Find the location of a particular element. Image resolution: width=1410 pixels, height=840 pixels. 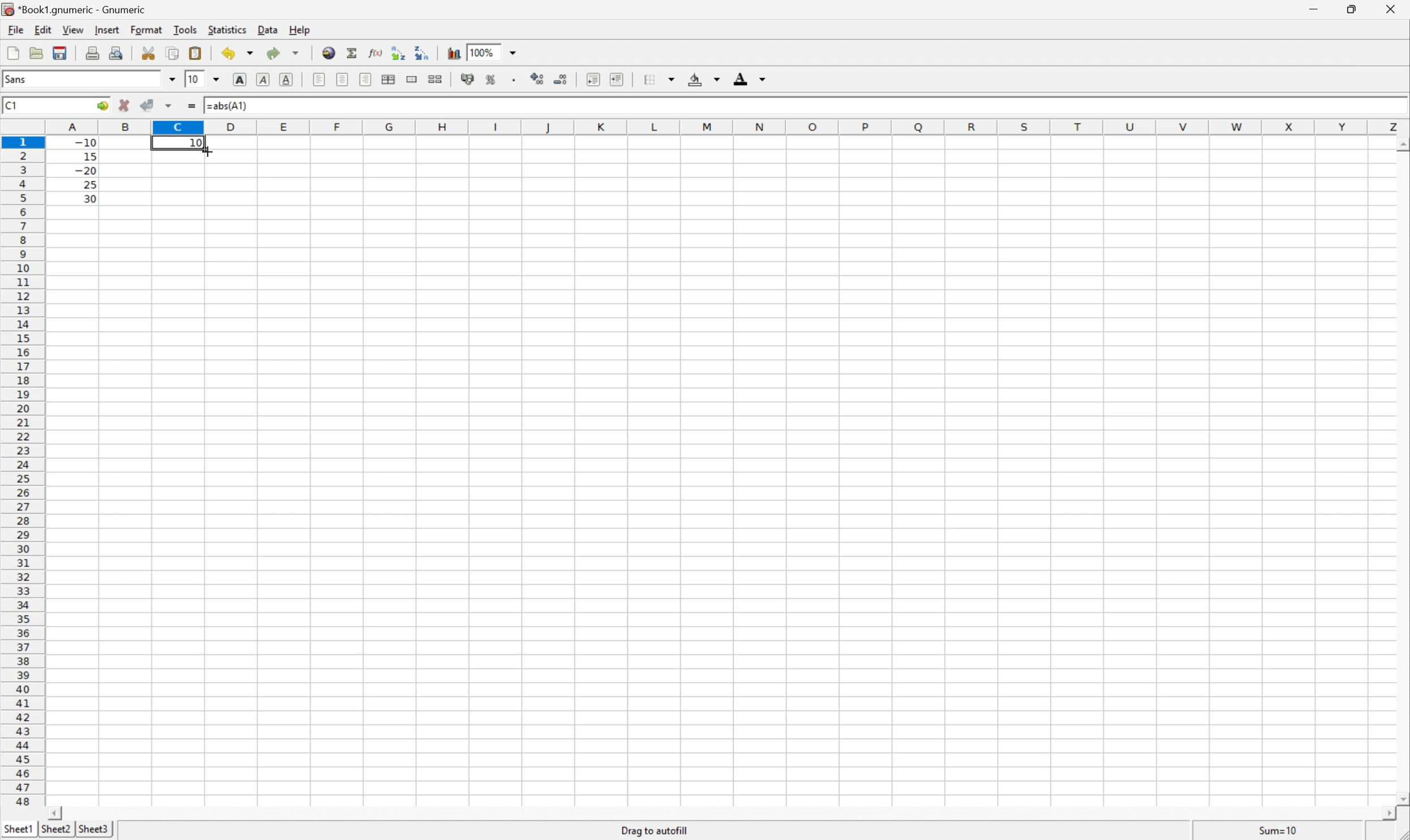

Format the selection as percentage is located at coordinates (492, 82).